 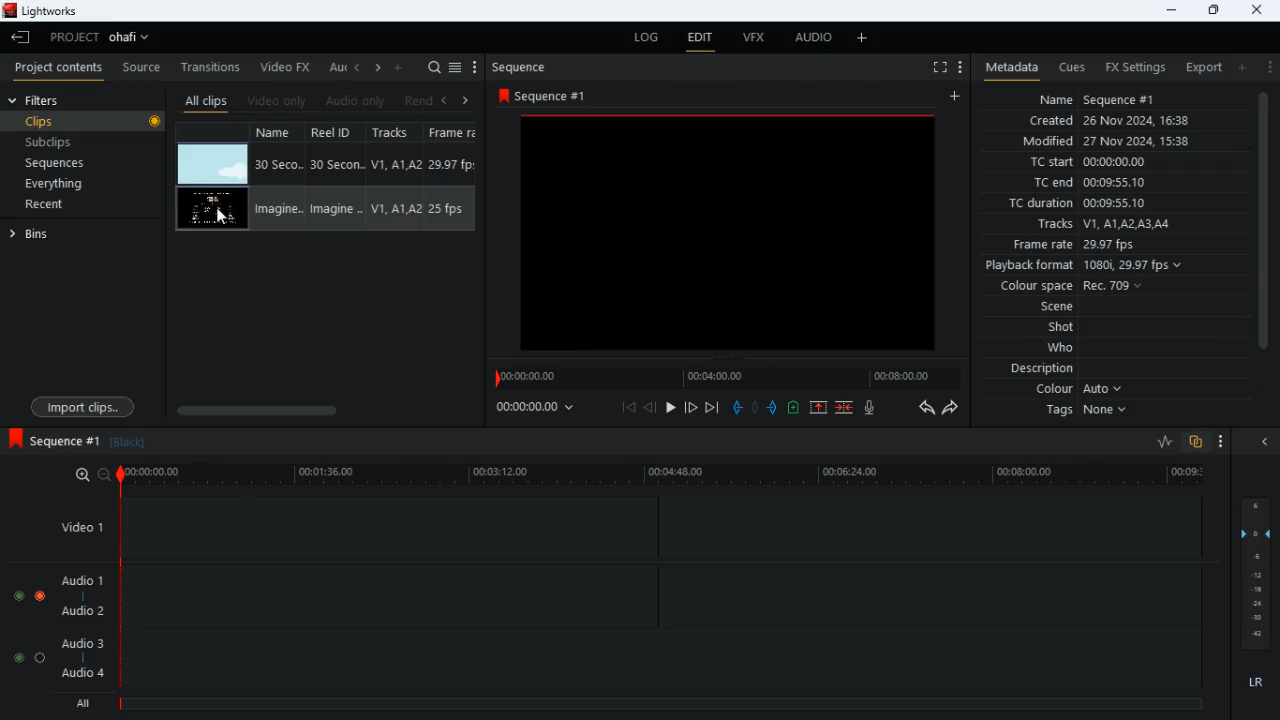 What do you see at coordinates (1007, 68) in the screenshot?
I see `metadata` at bounding box center [1007, 68].